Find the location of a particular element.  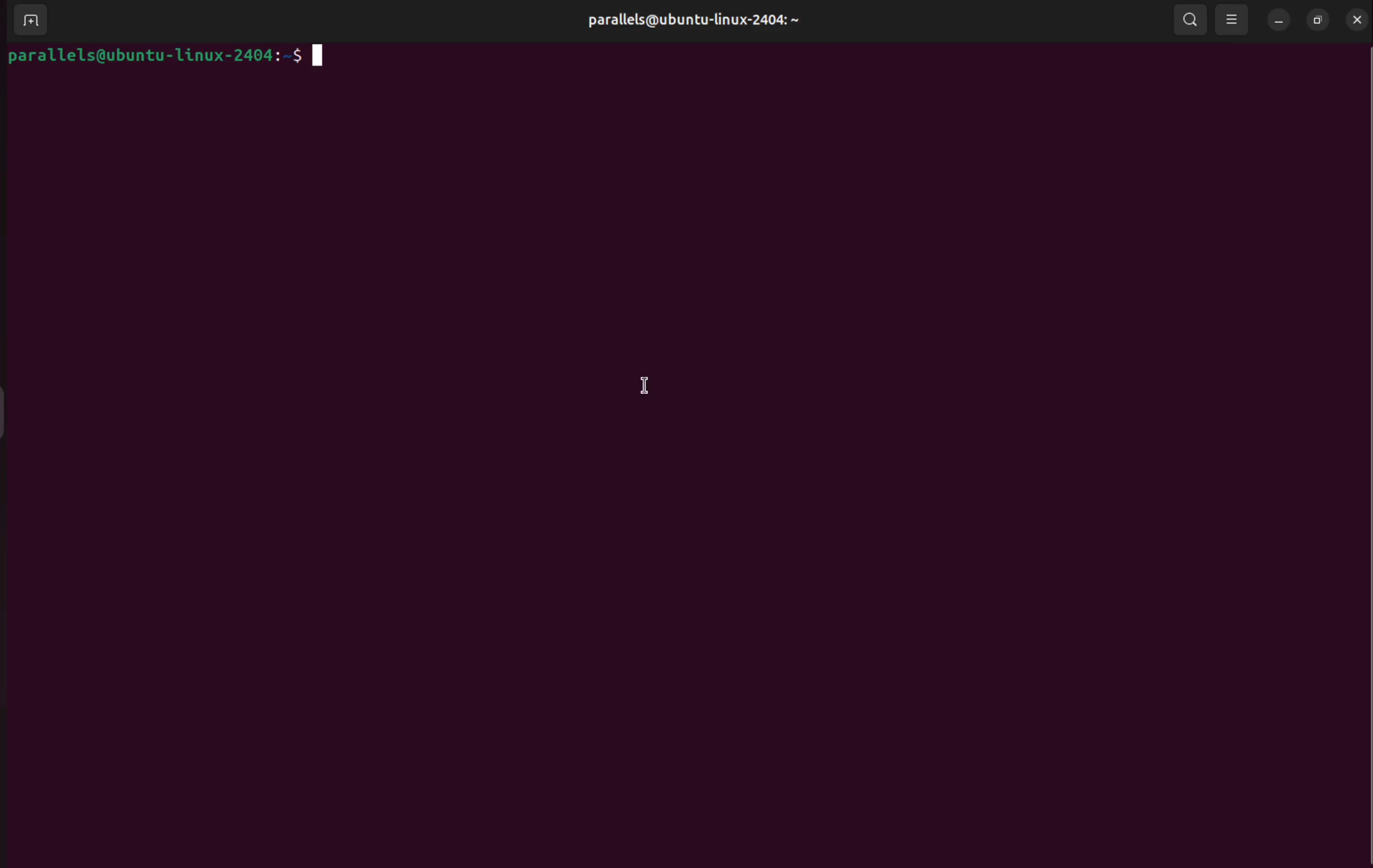

minimize is located at coordinates (1277, 21).